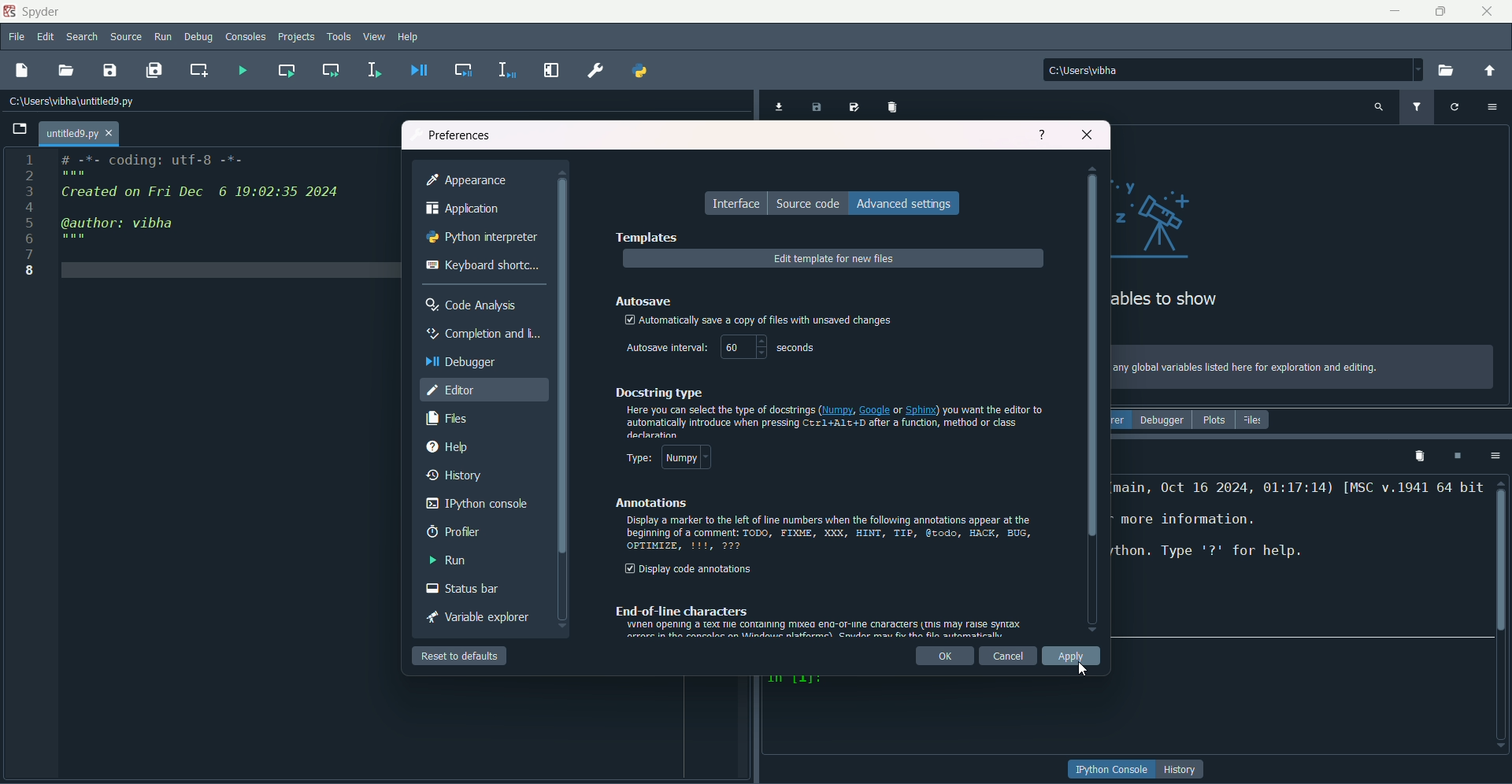 Image resolution: width=1512 pixels, height=784 pixels. What do you see at coordinates (154, 70) in the screenshot?
I see `save all` at bounding box center [154, 70].